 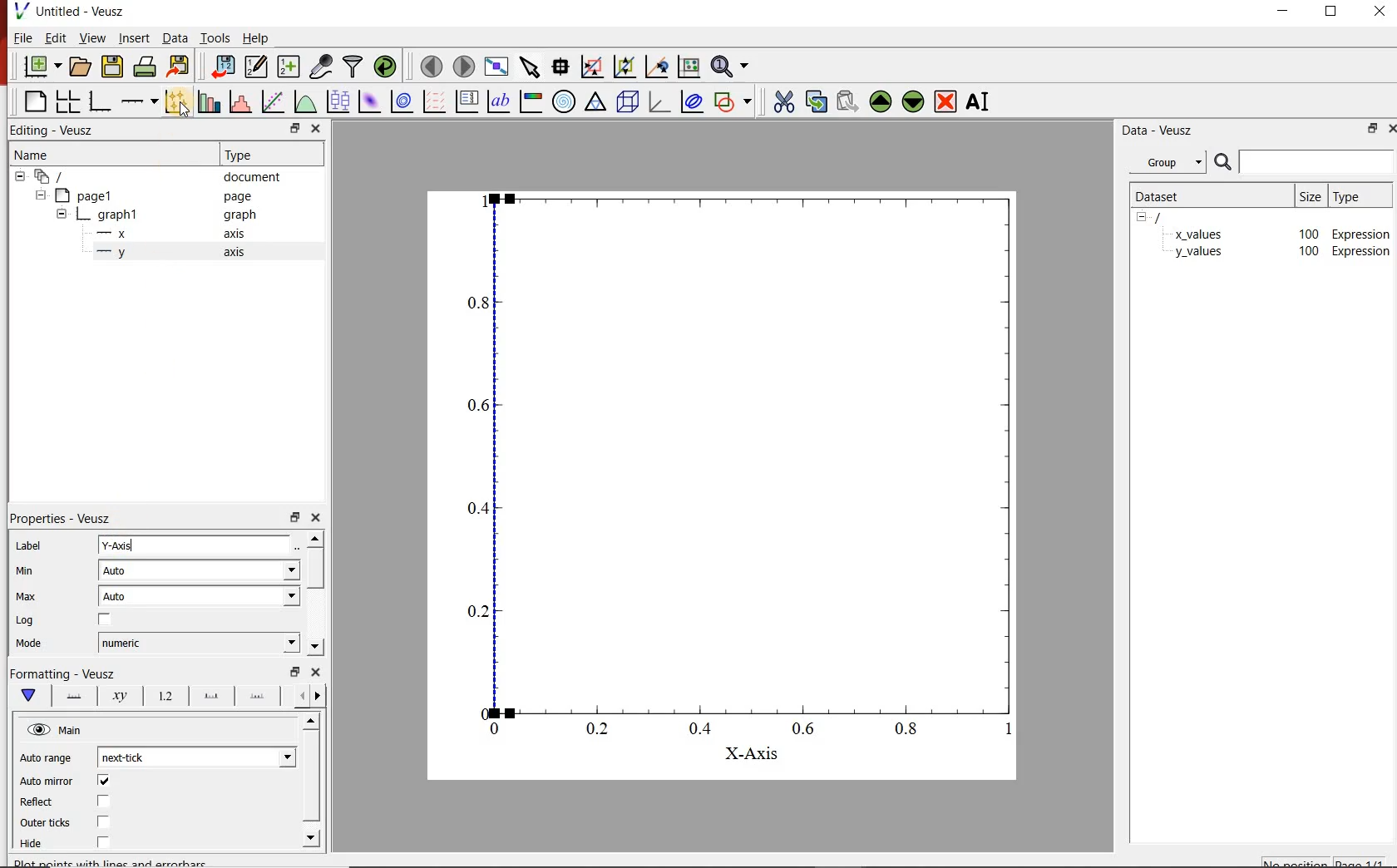 I want to click on reload linked datasets, so click(x=383, y=67).